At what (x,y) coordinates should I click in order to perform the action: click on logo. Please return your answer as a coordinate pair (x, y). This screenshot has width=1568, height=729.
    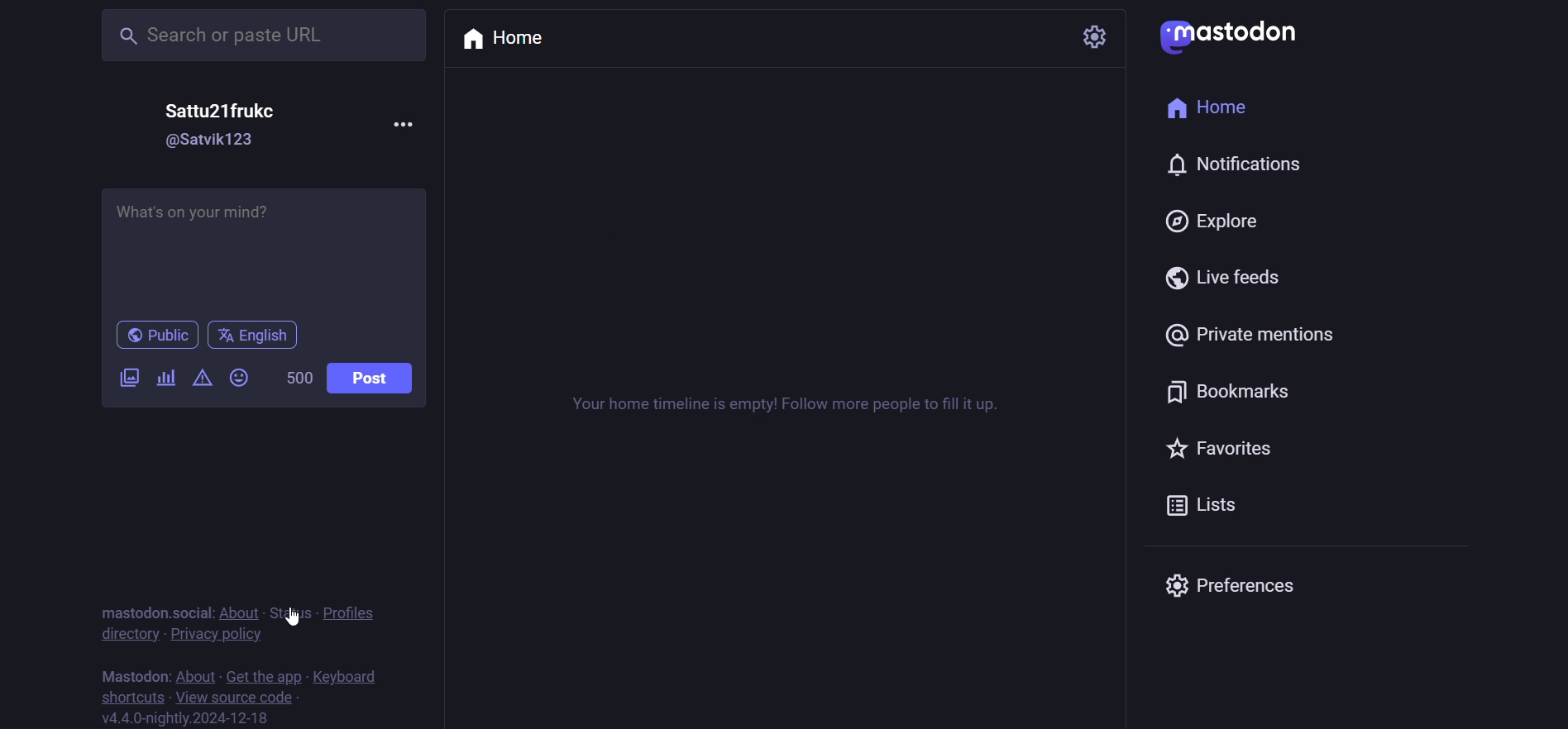
    Looking at the image, I should click on (1228, 33).